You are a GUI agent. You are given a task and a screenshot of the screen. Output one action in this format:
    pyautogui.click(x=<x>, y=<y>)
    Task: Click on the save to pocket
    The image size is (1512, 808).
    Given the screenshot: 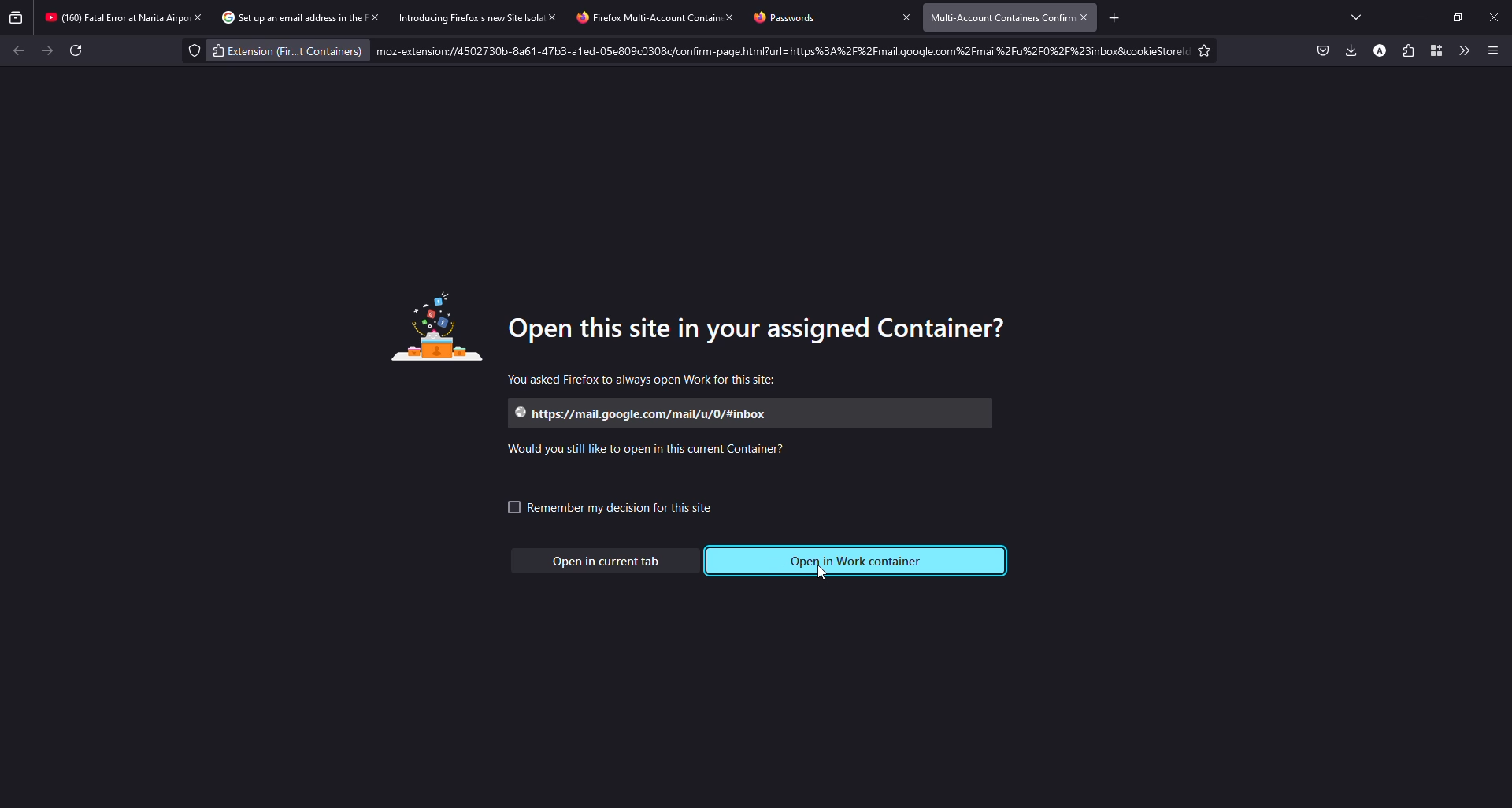 What is the action you would take?
    pyautogui.click(x=1321, y=50)
    